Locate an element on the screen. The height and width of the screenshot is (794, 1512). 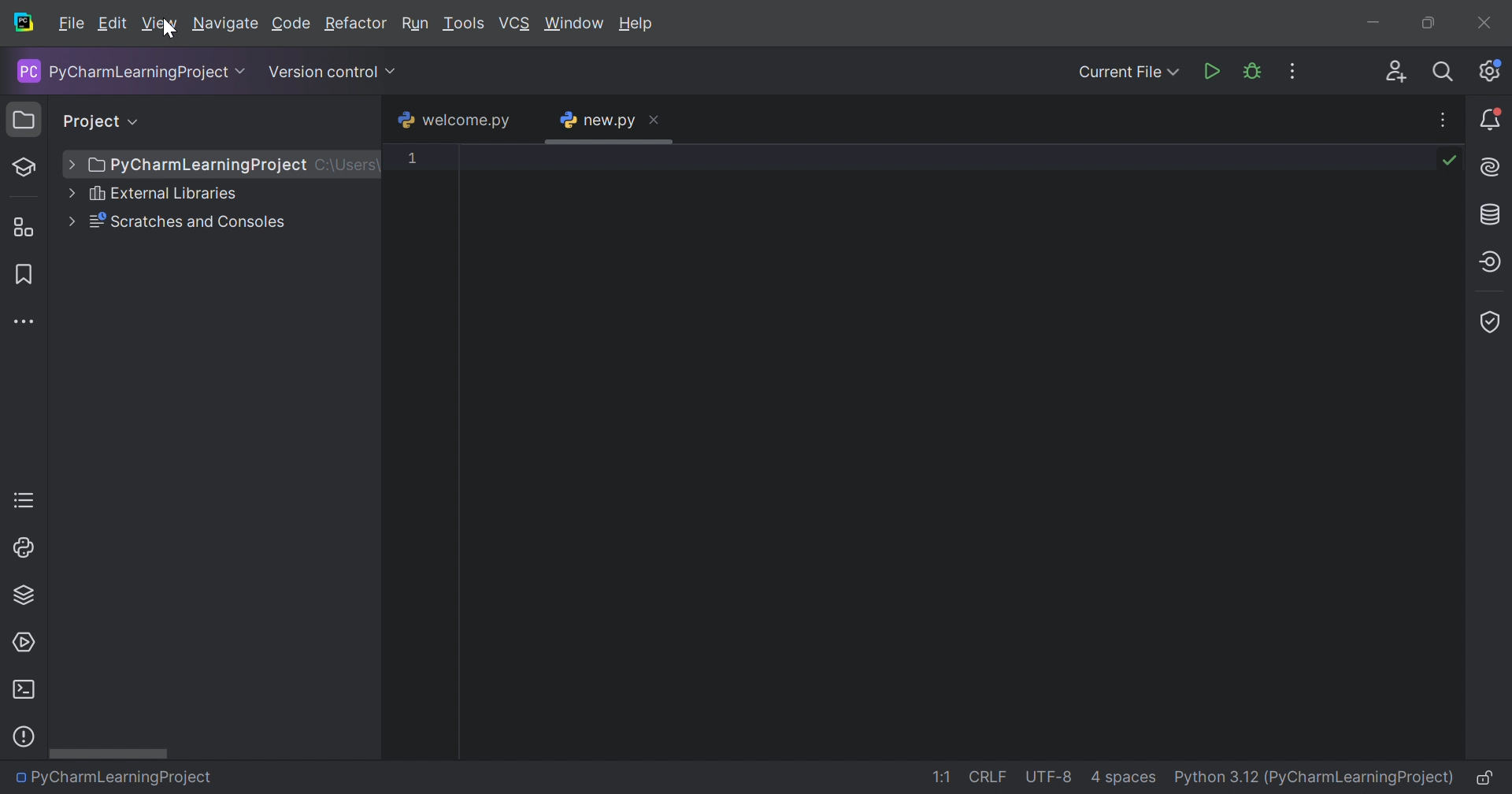
VCS is located at coordinates (515, 24).